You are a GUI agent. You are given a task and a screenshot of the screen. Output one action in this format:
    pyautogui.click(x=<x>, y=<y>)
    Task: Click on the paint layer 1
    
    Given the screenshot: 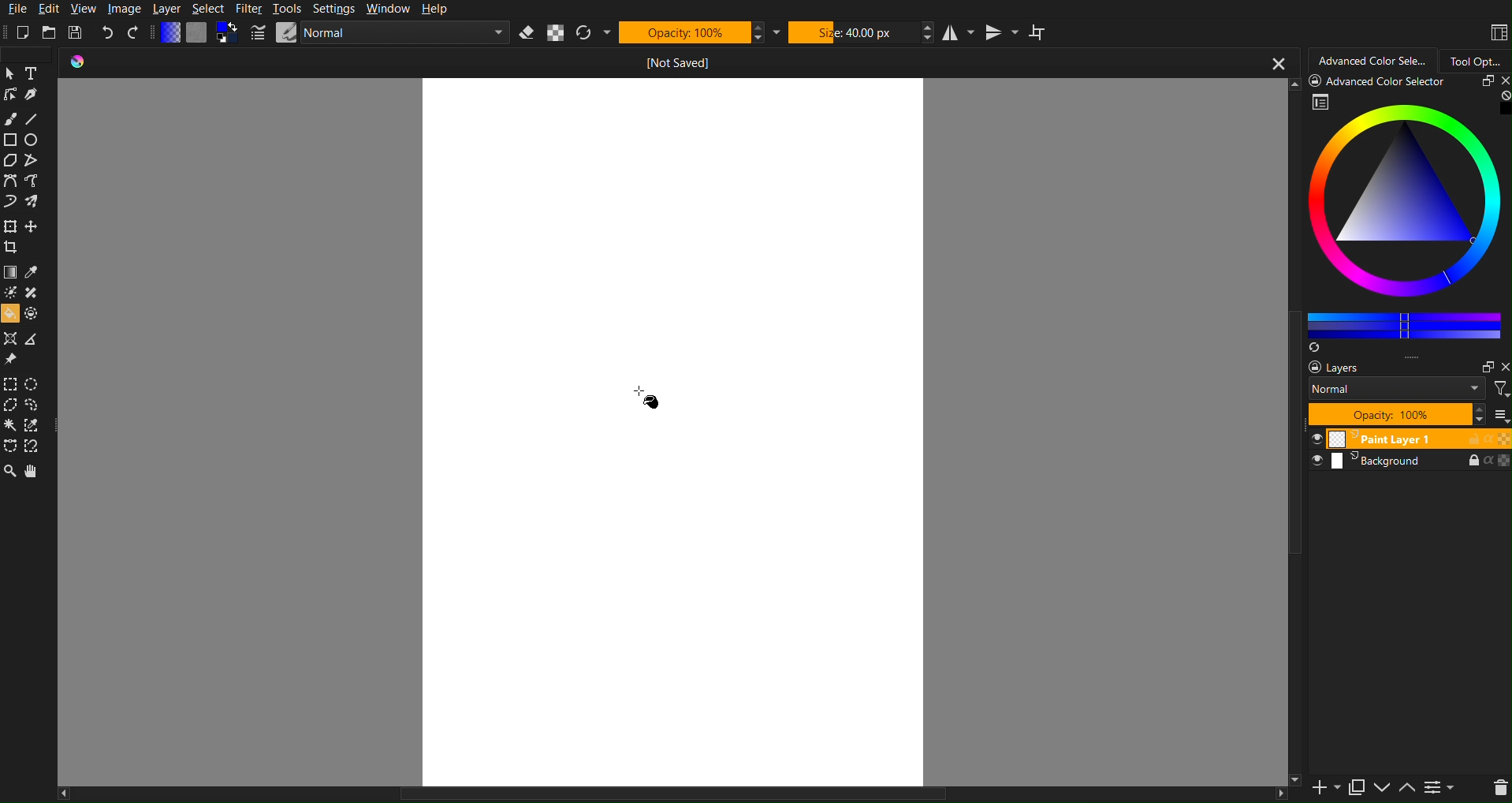 What is the action you would take?
    pyautogui.click(x=1375, y=440)
    